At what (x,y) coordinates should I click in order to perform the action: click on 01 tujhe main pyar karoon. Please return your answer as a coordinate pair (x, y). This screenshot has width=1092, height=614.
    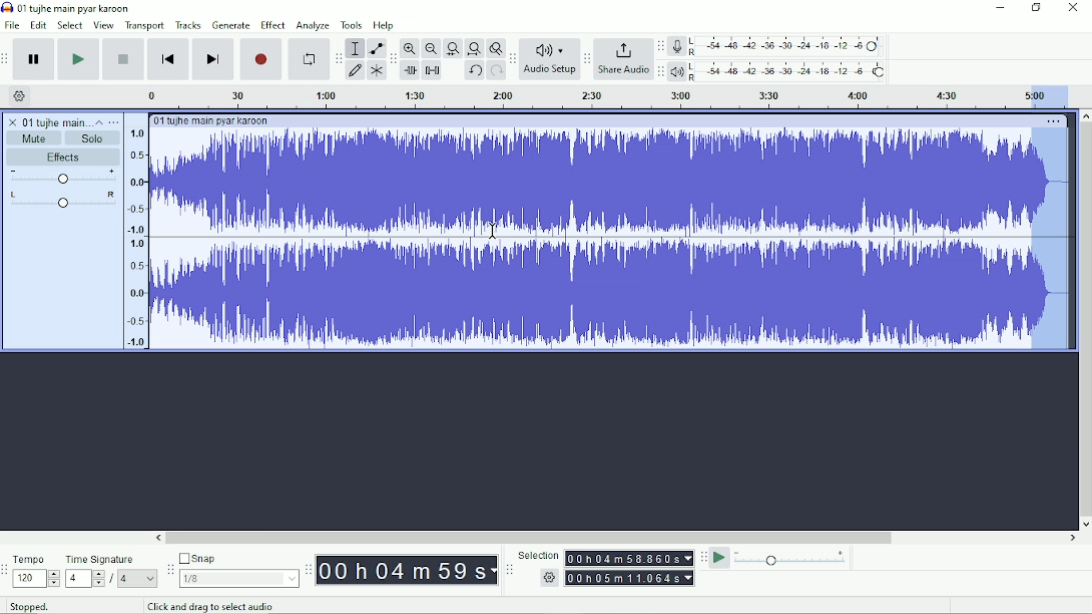
    Looking at the image, I should click on (56, 121).